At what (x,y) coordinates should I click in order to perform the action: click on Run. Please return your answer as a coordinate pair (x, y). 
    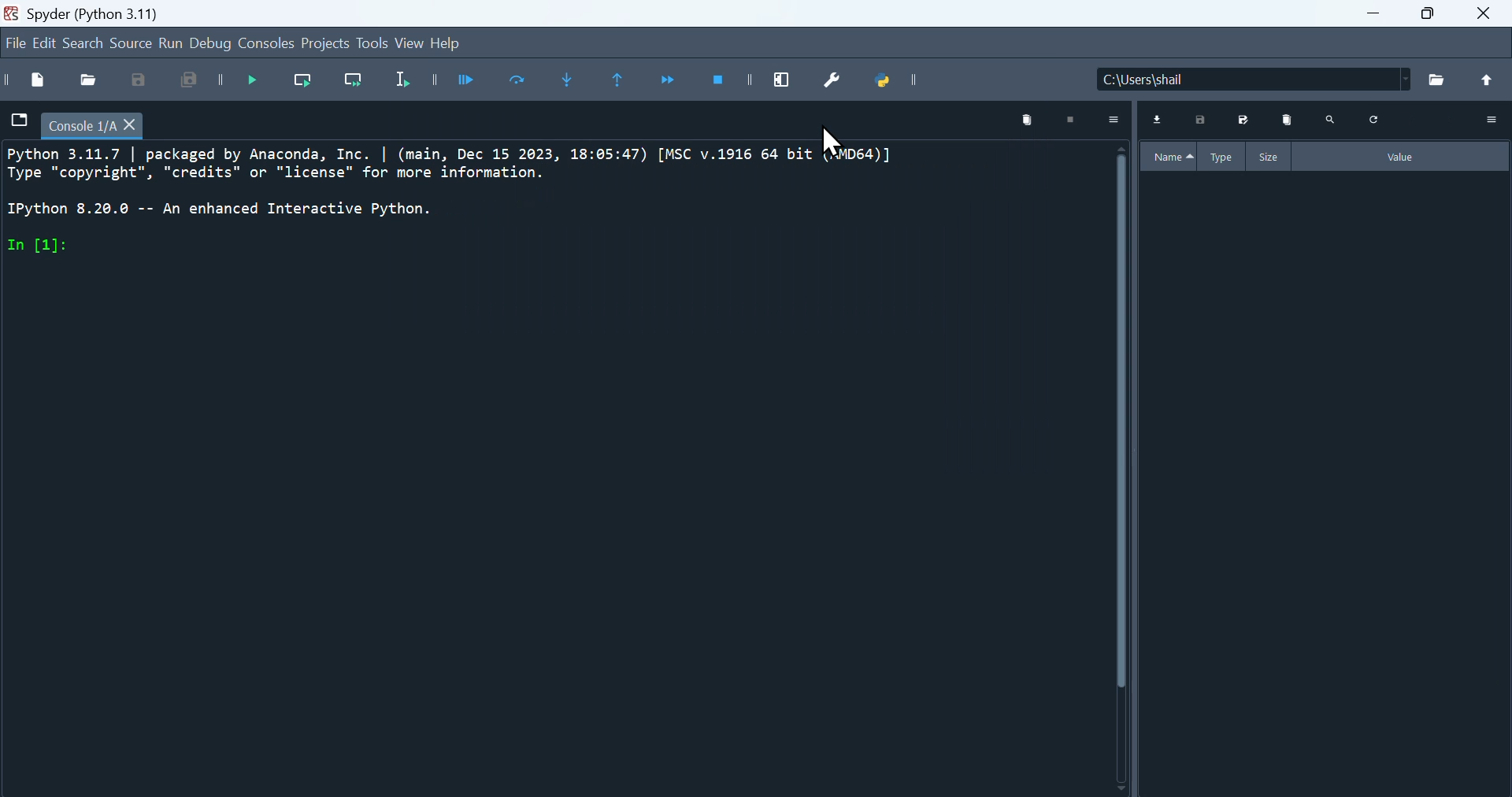
    Looking at the image, I should click on (173, 45).